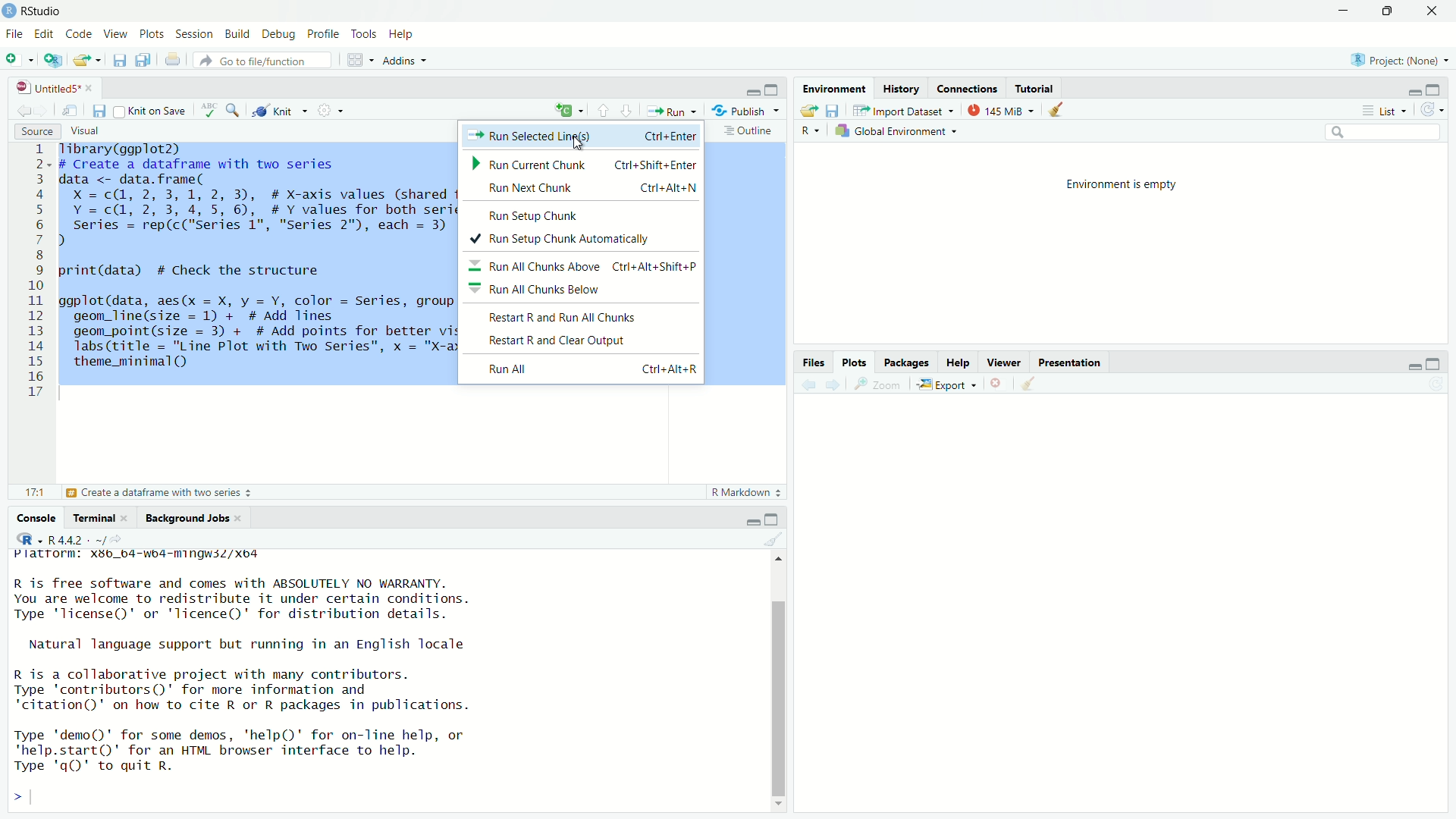 This screenshot has width=1456, height=819. Describe the element at coordinates (281, 111) in the screenshot. I see `Knit` at that location.